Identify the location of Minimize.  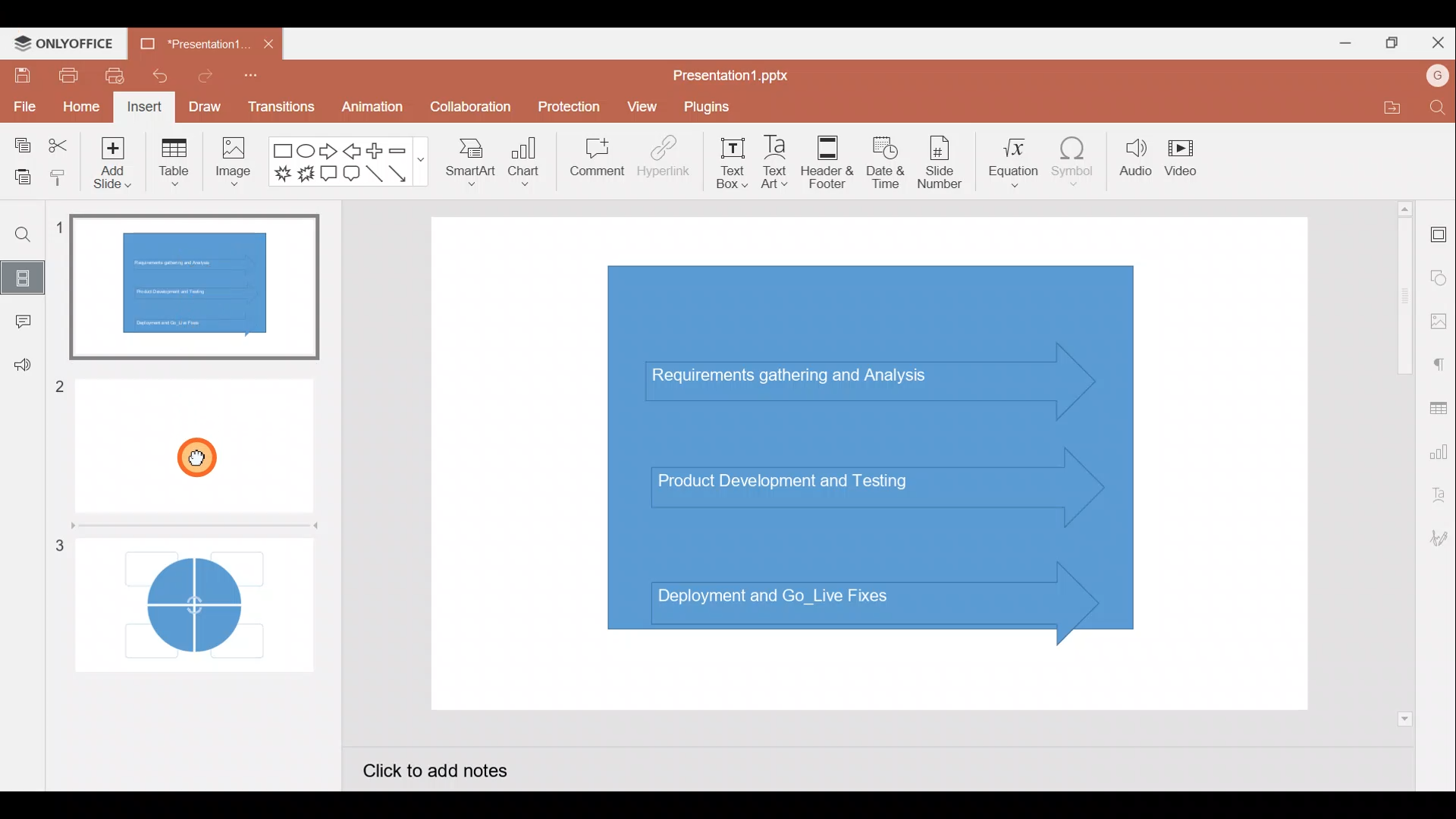
(1341, 45).